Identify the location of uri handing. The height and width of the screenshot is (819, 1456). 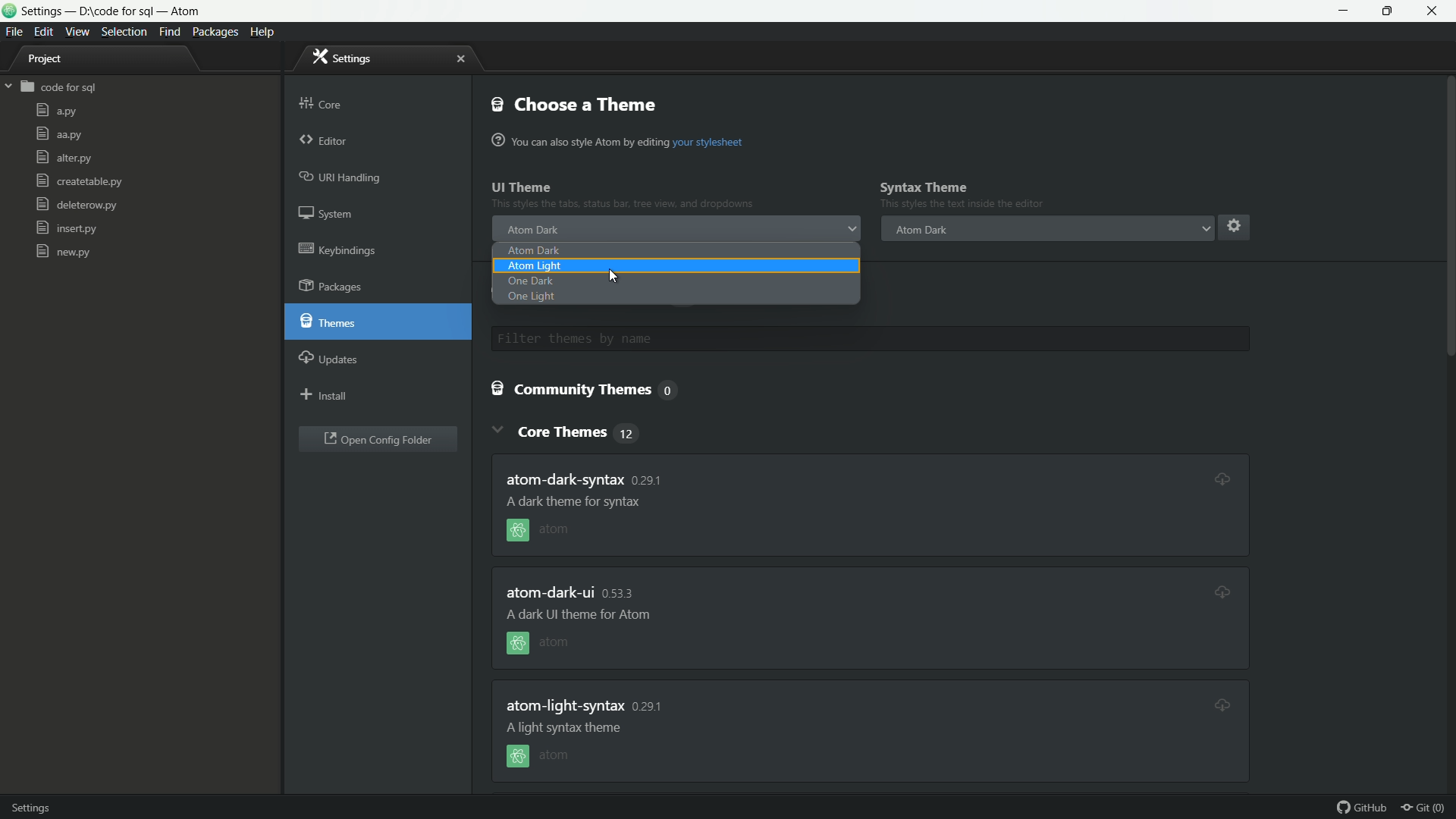
(342, 178).